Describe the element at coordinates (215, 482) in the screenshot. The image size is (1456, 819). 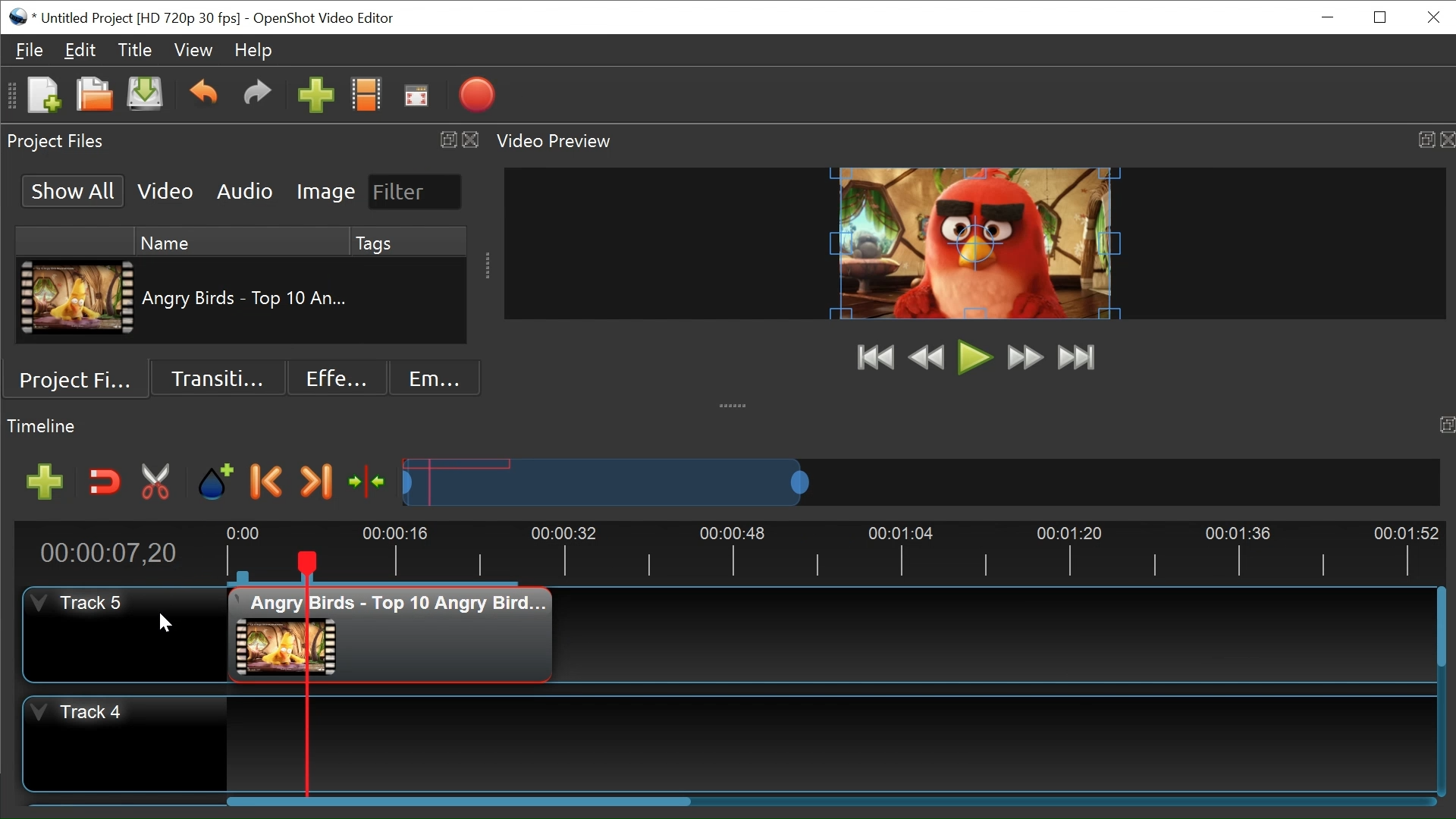
I see `Add Marker` at that location.